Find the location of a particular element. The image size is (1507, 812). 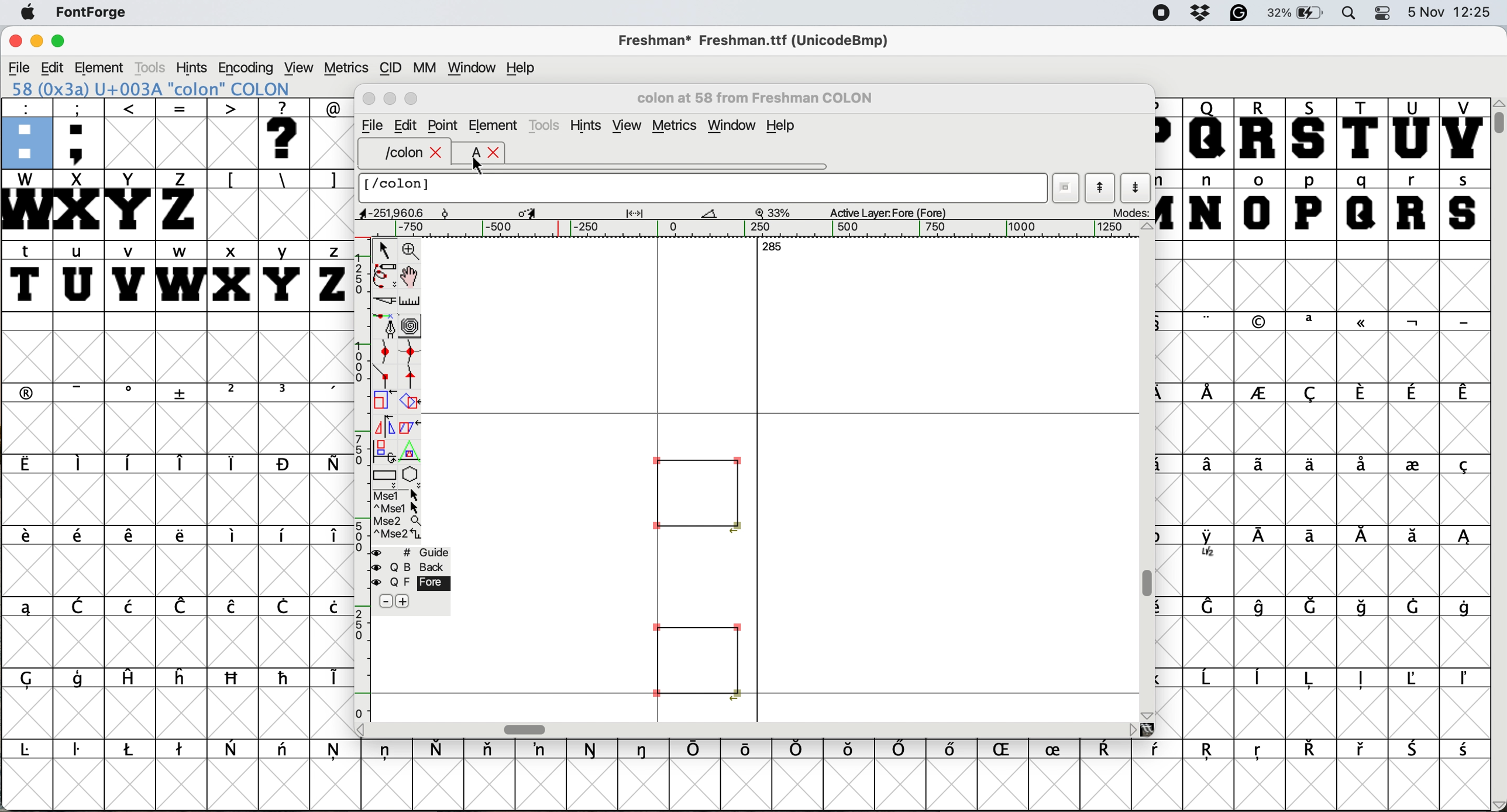

symbol is located at coordinates (234, 463).